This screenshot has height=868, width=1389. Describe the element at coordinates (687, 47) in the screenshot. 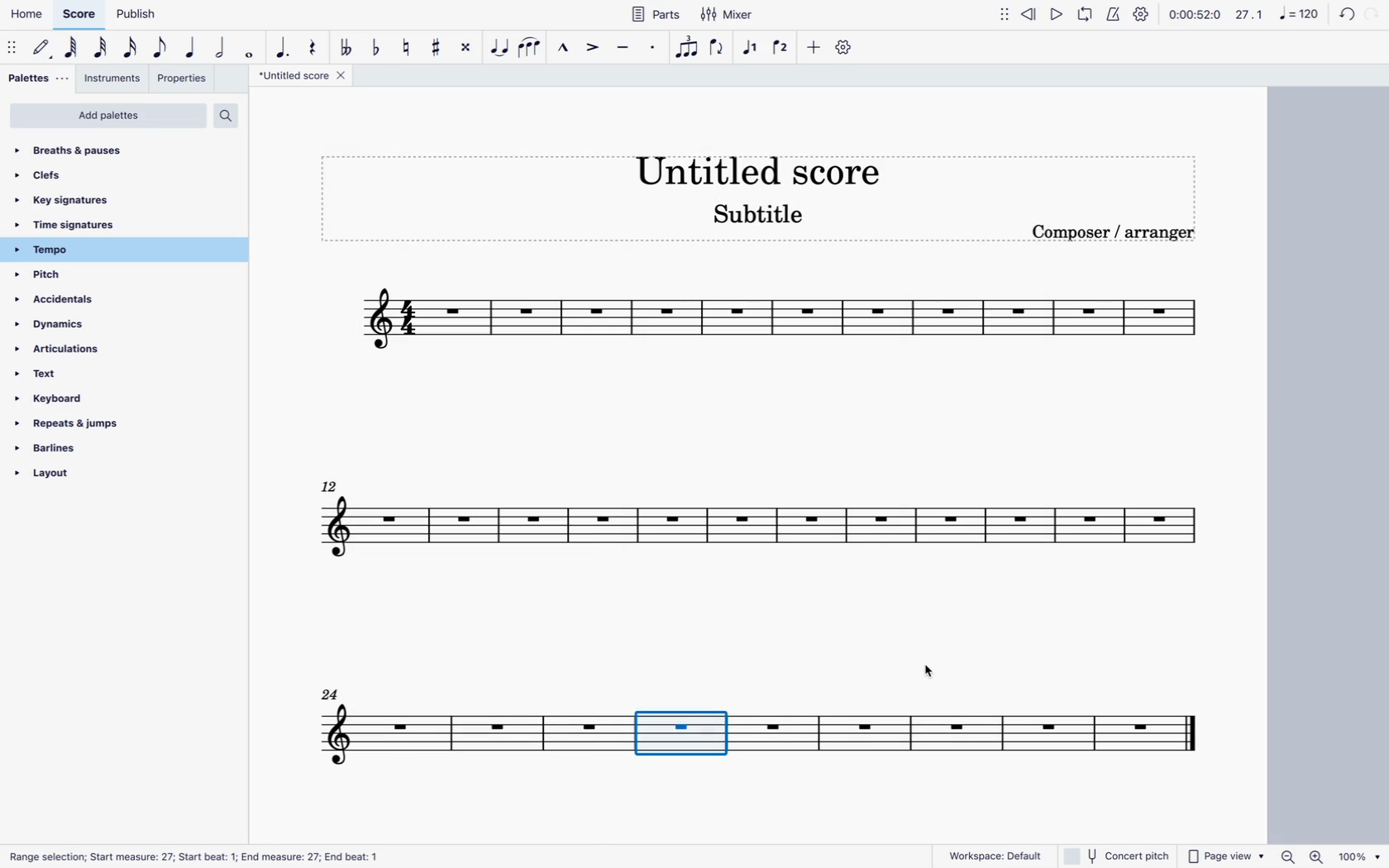

I see `tuplet` at that location.